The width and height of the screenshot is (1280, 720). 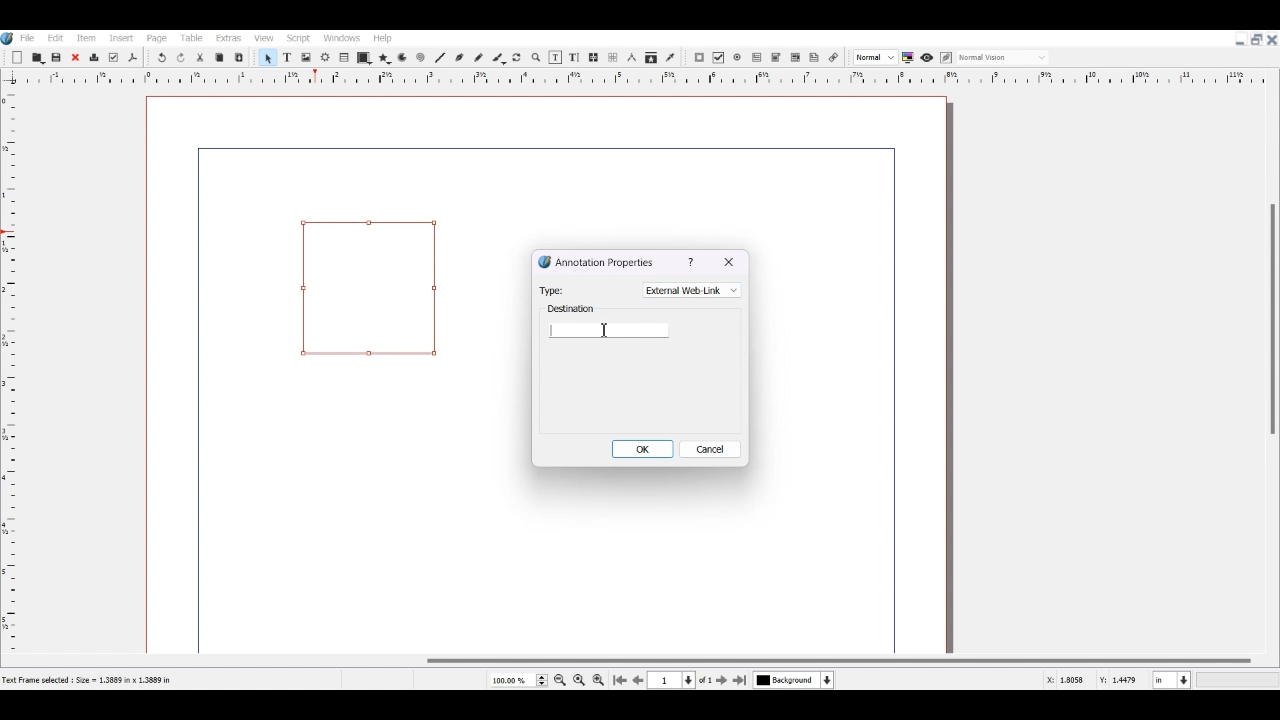 I want to click on PDF Radio Button , so click(x=739, y=58).